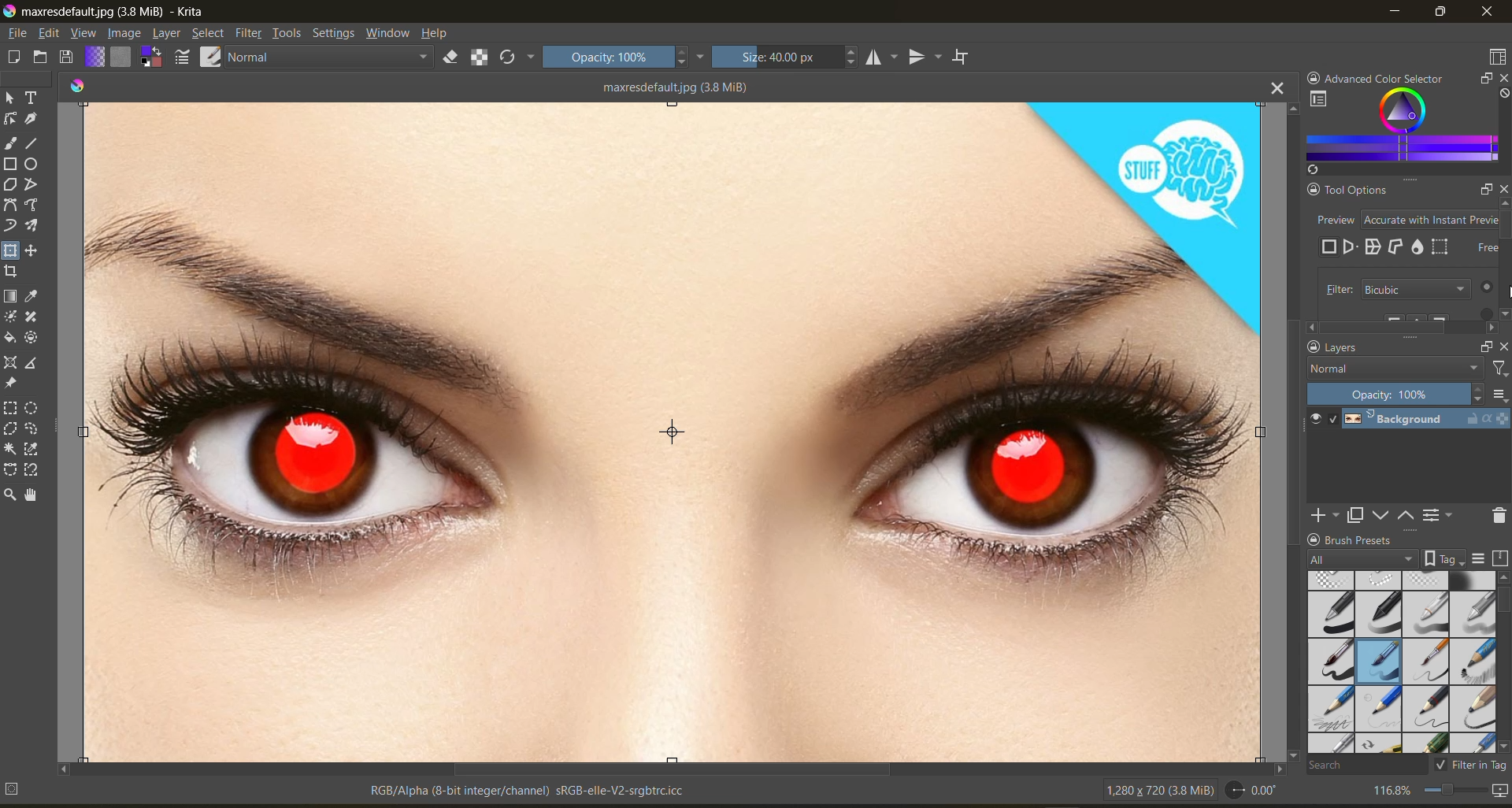  What do you see at coordinates (10, 119) in the screenshot?
I see `tool` at bounding box center [10, 119].